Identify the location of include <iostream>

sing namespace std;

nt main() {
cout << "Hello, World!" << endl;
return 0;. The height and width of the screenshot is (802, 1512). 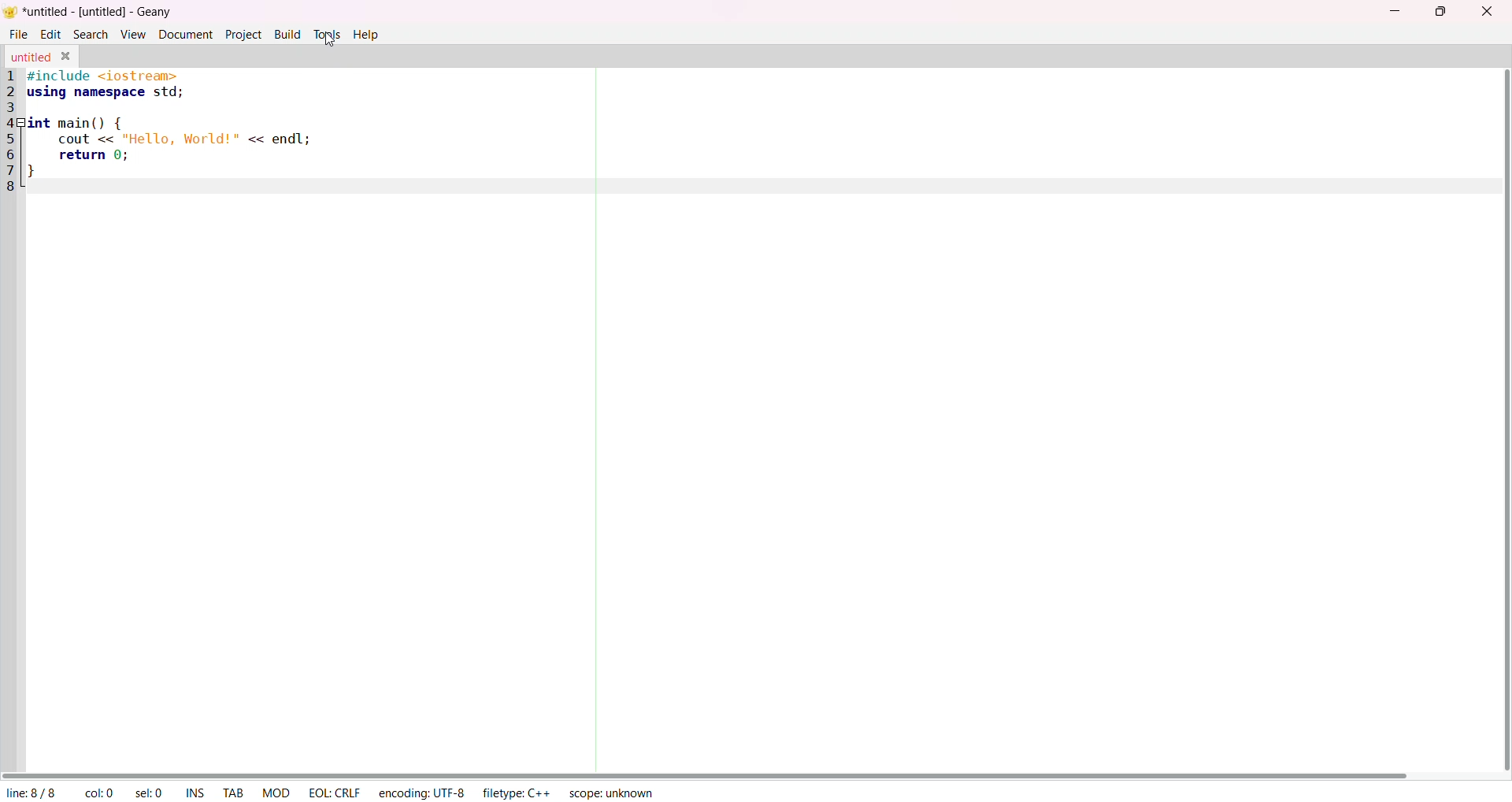
(169, 121).